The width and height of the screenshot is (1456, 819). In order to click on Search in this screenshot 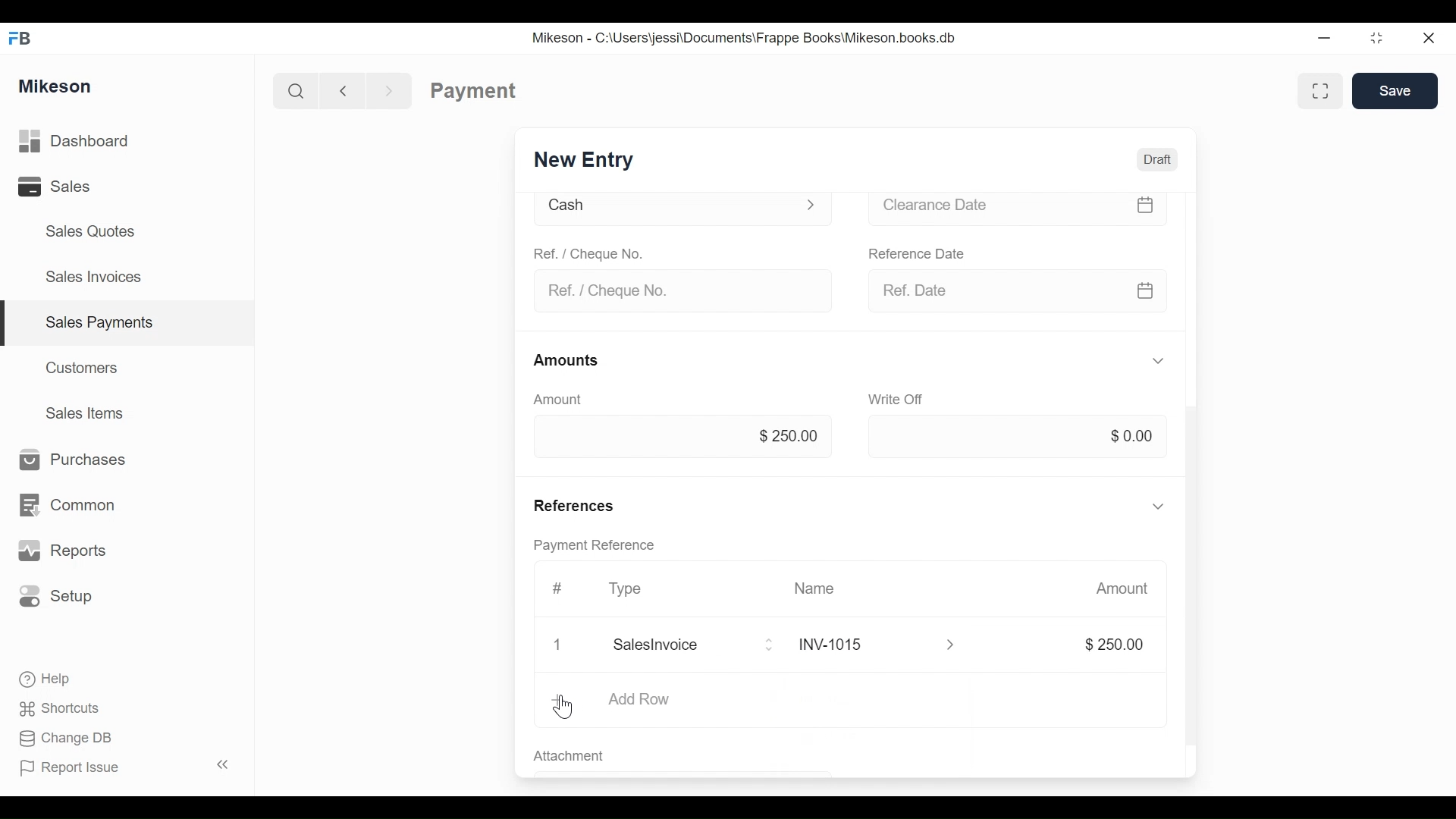, I will do `click(291, 89)`.